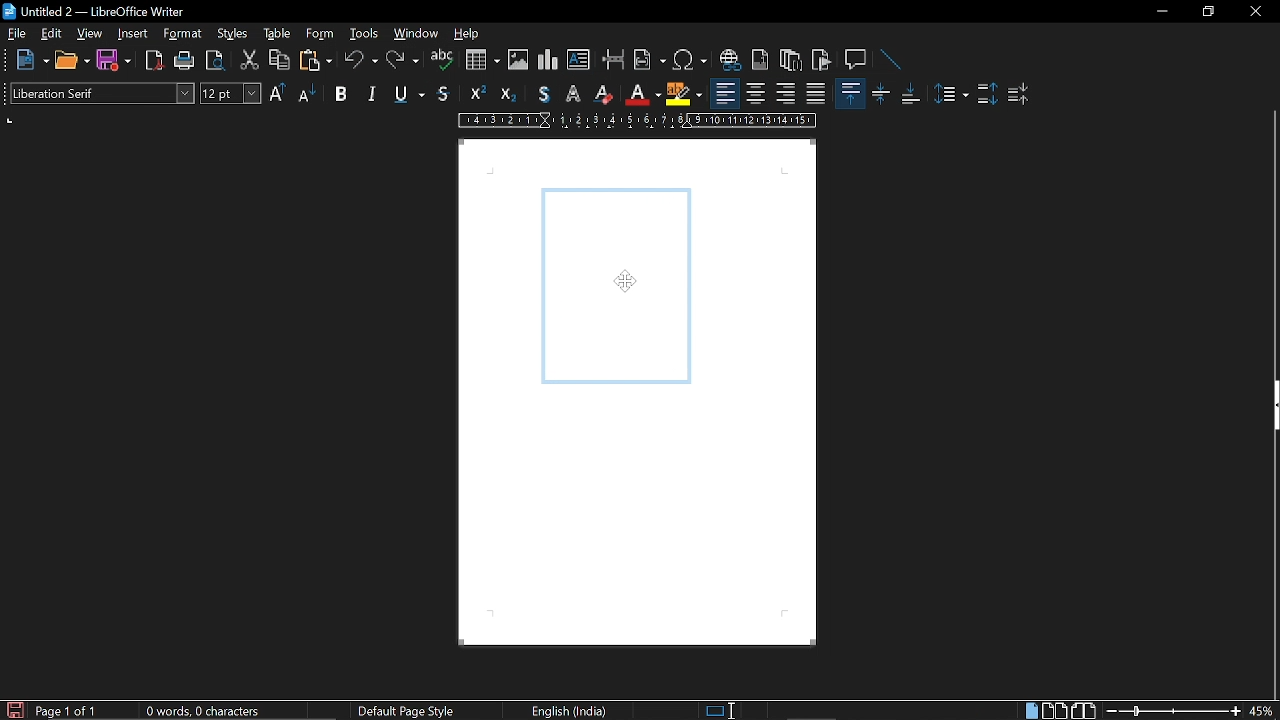 The width and height of the screenshot is (1280, 720). Describe the element at coordinates (640, 95) in the screenshot. I see `font color` at that location.